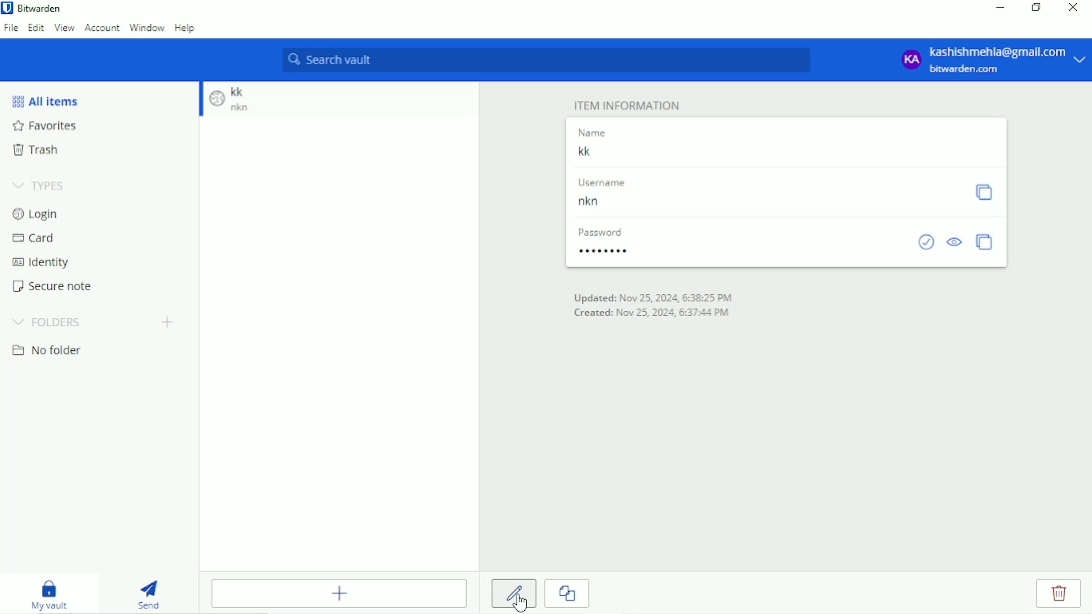 This screenshot has width=1092, height=614. I want to click on Close, so click(1072, 7).